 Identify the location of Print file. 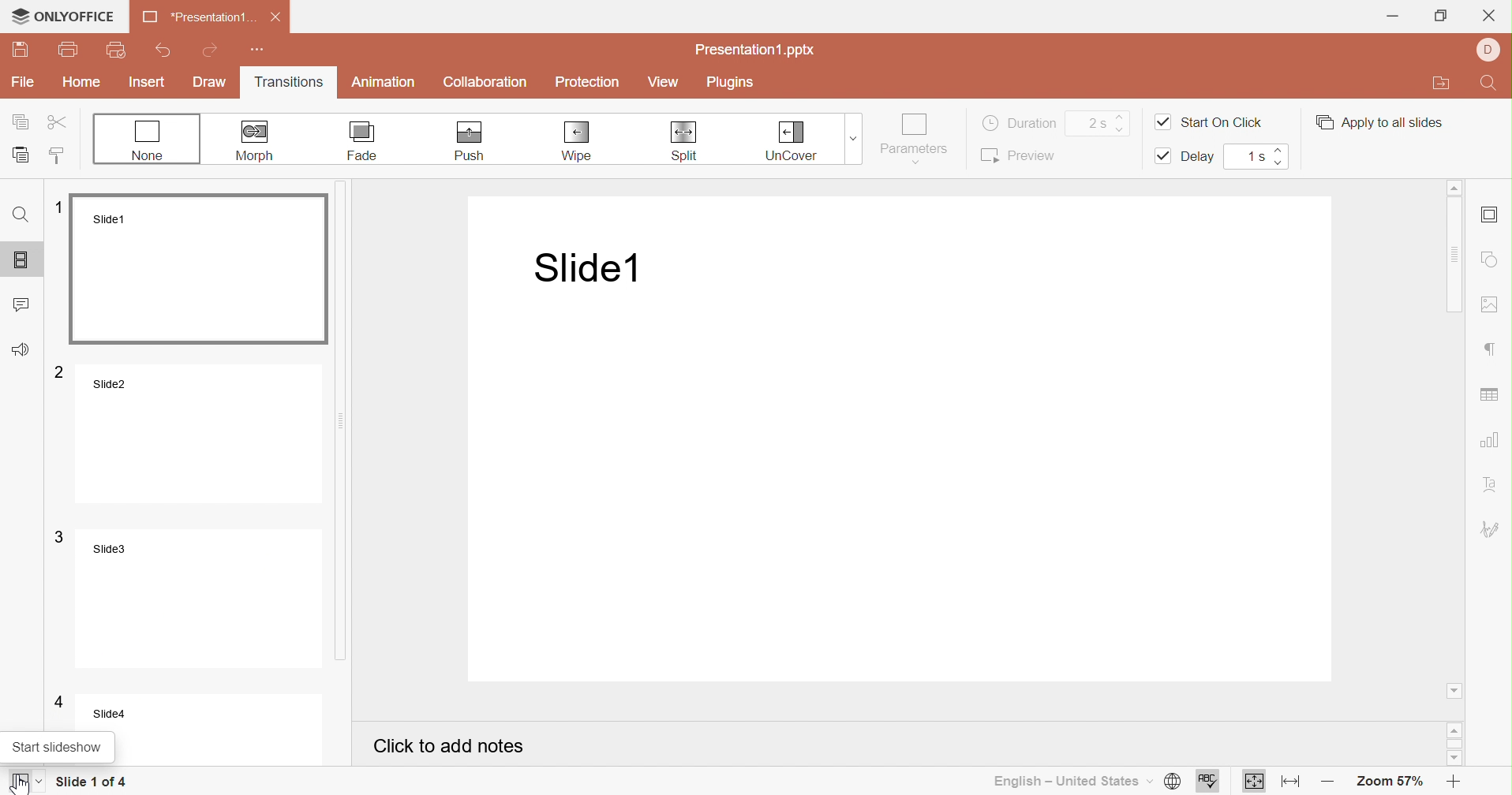
(69, 48).